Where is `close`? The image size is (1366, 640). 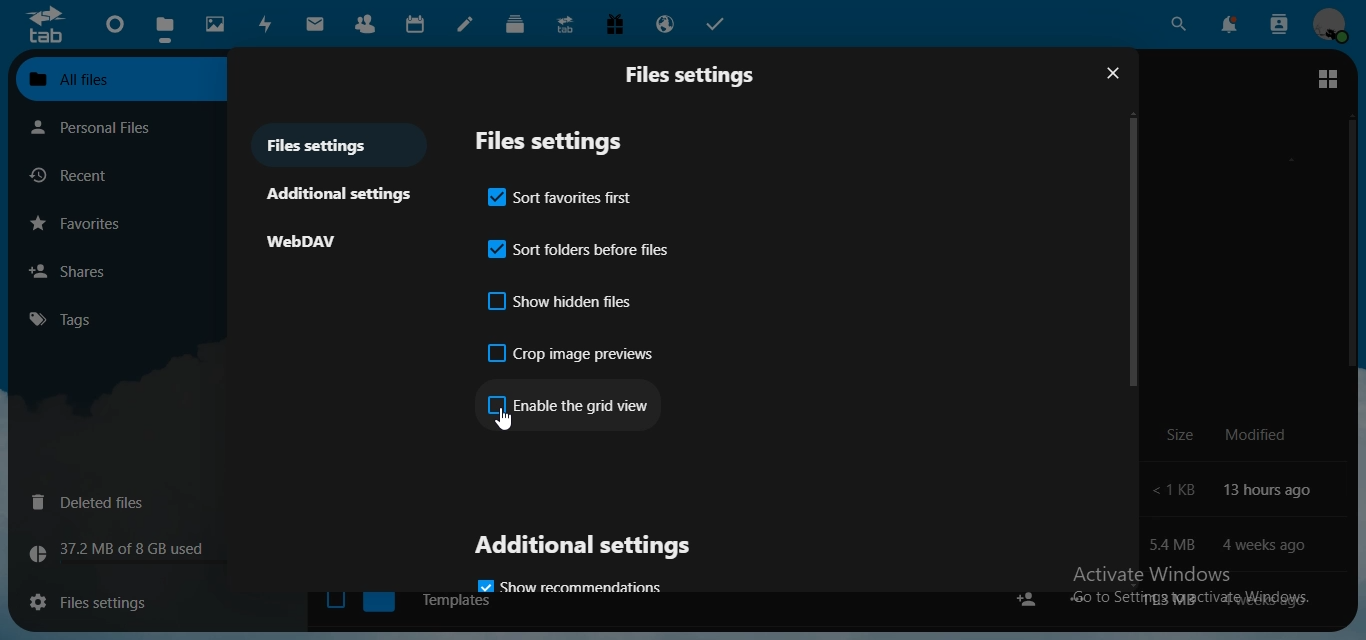 close is located at coordinates (1113, 75).